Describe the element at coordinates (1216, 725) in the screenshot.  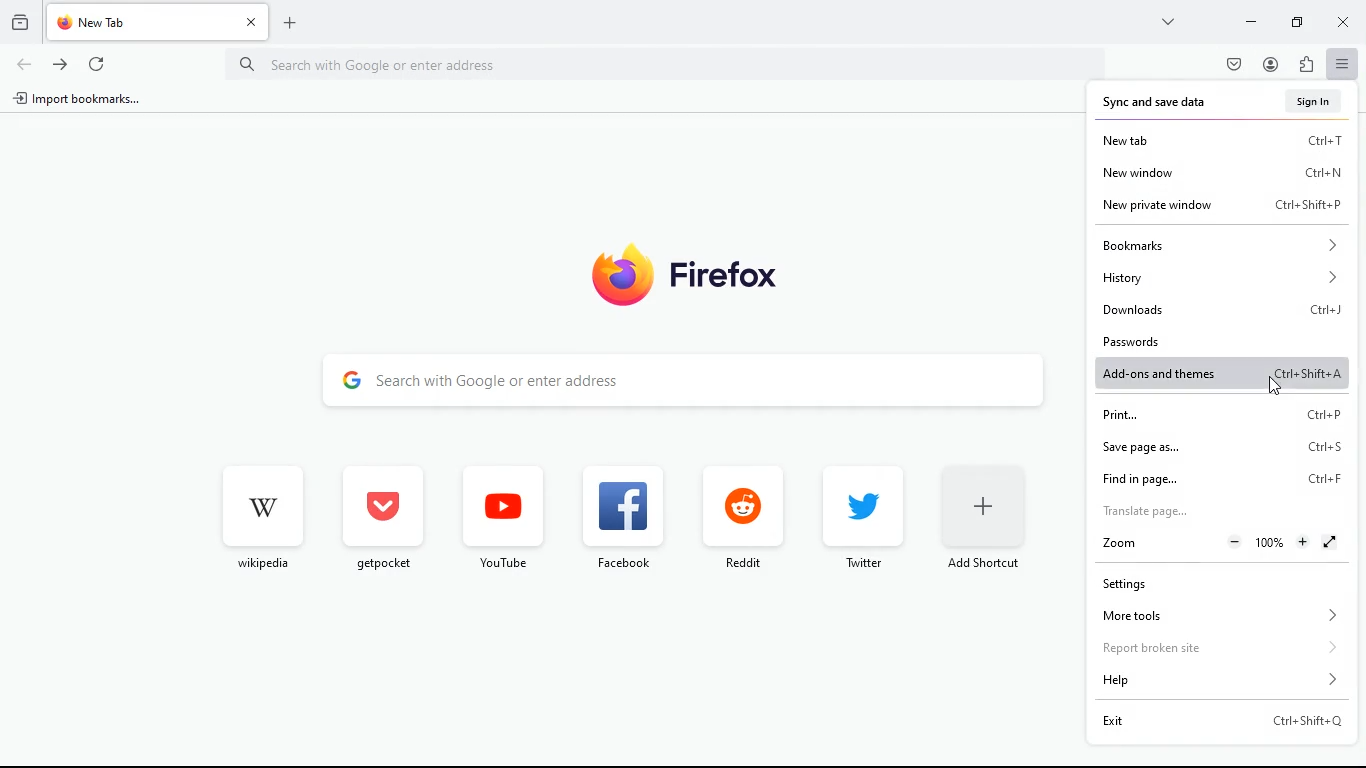
I see `exit` at that location.